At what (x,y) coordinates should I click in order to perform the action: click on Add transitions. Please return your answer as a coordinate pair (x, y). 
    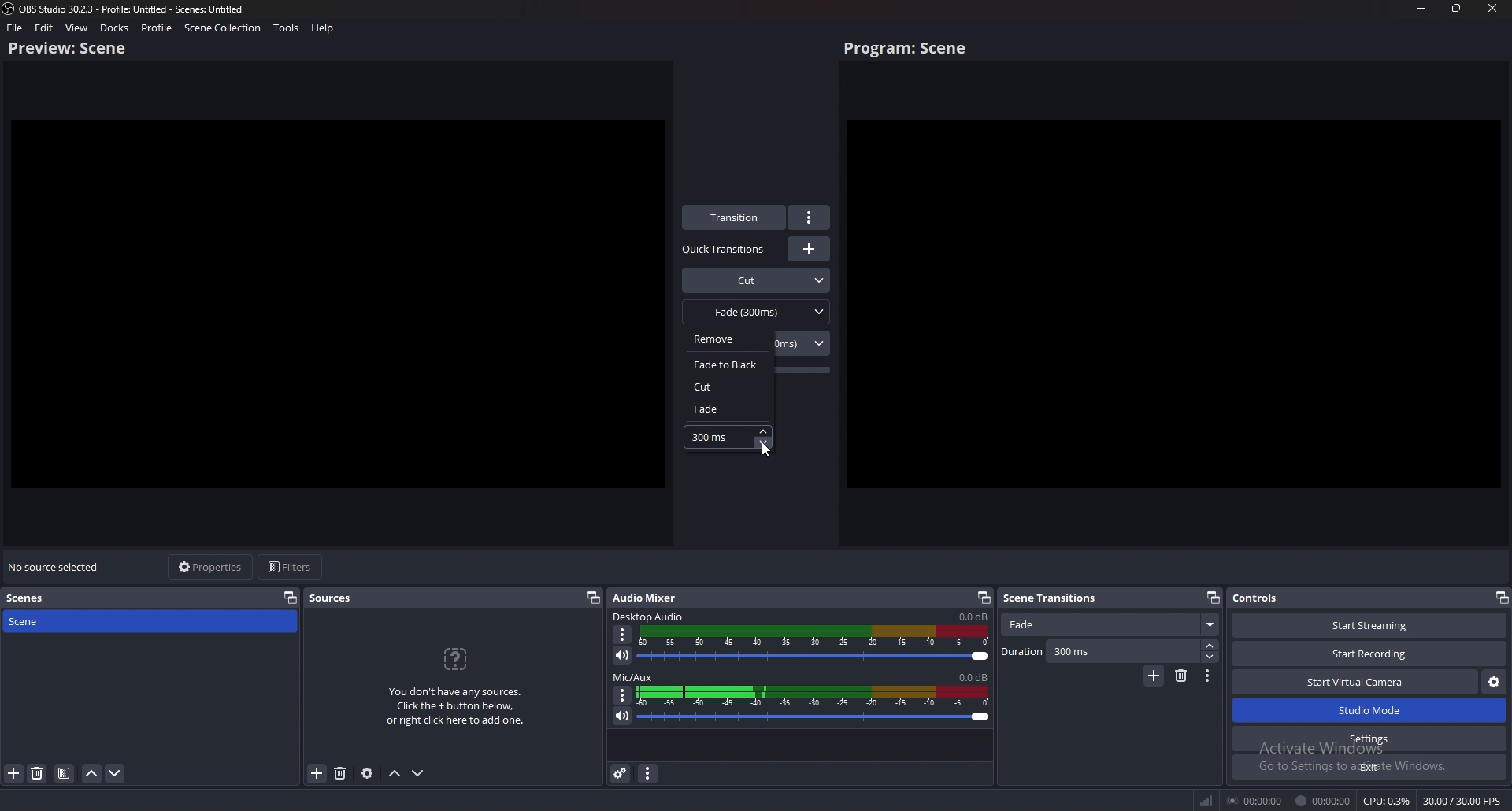
    Looking at the image, I should click on (809, 249).